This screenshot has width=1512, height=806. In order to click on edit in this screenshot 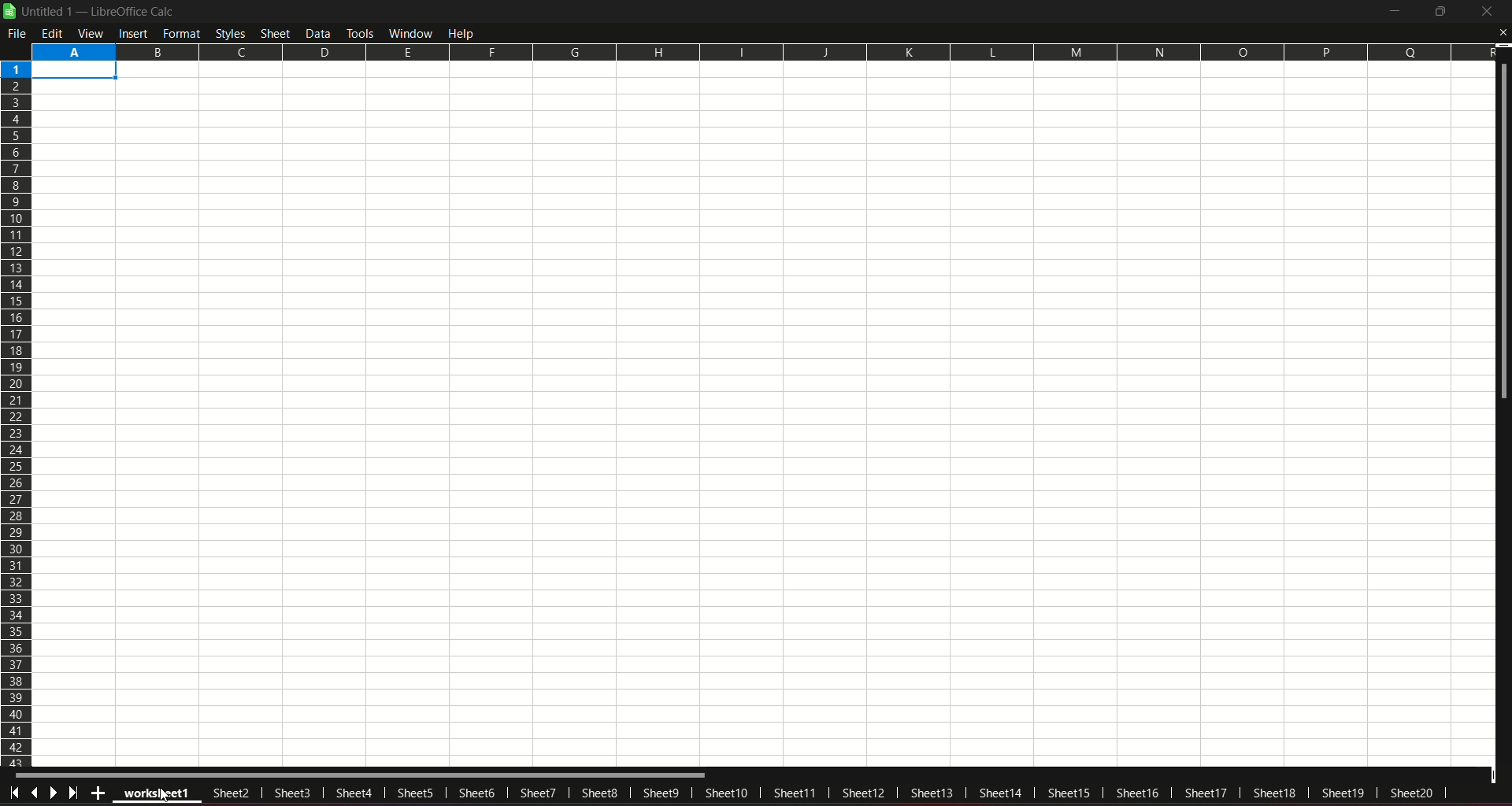, I will do `click(53, 33)`.